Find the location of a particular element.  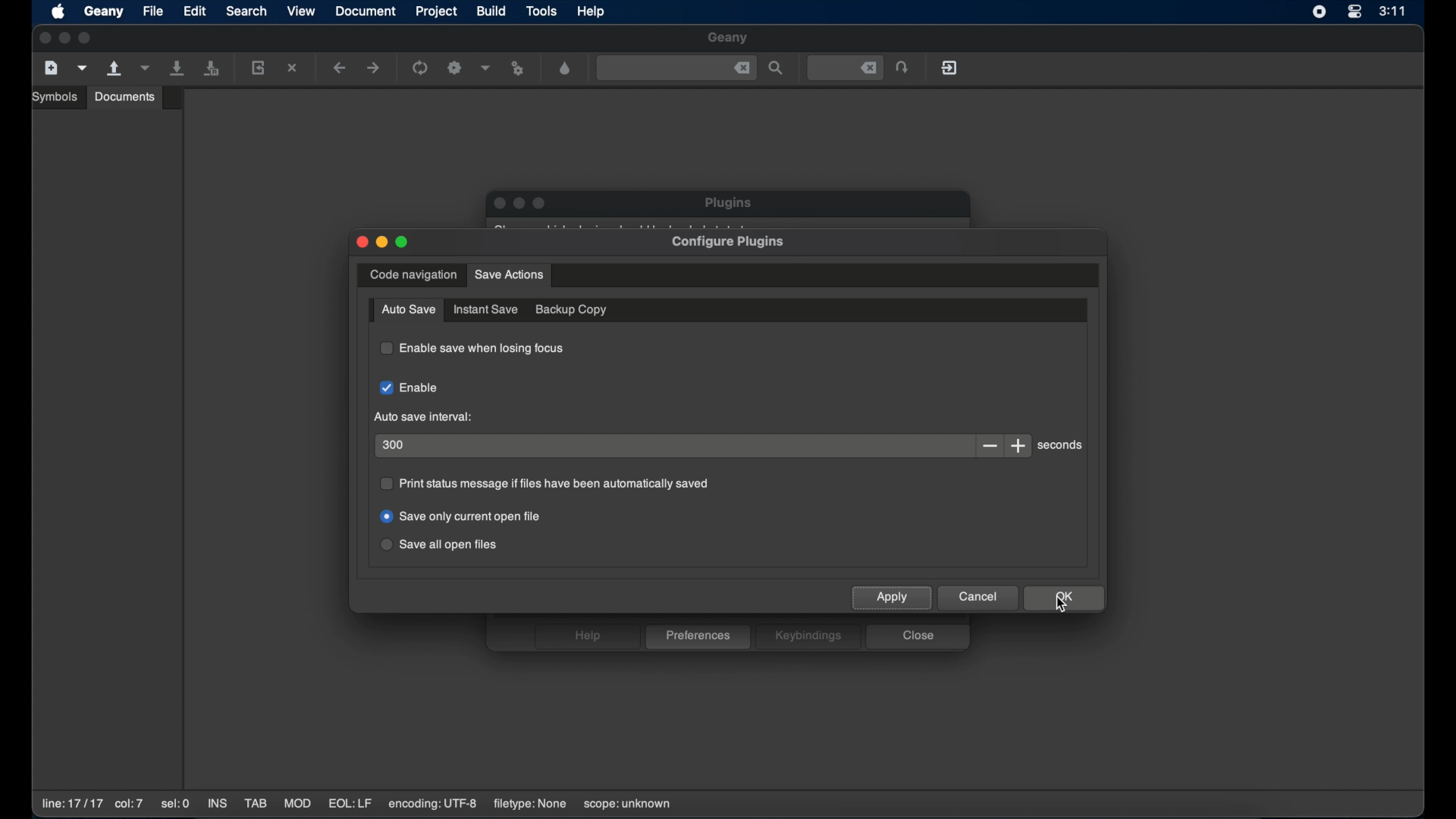

backup copy is located at coordinates (572, 309).